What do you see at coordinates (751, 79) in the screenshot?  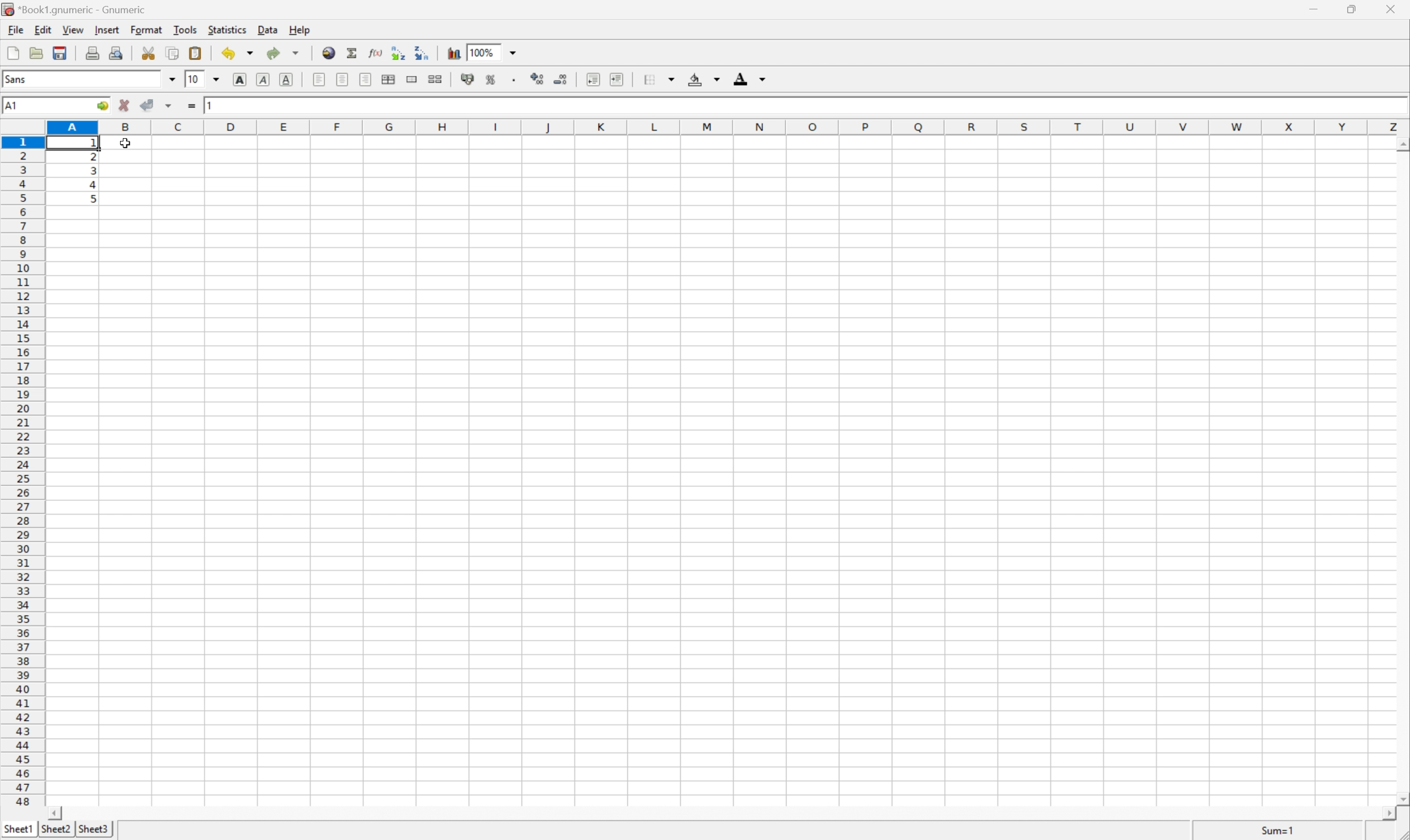 I see `Foreground` at bounding box center [751, 79].